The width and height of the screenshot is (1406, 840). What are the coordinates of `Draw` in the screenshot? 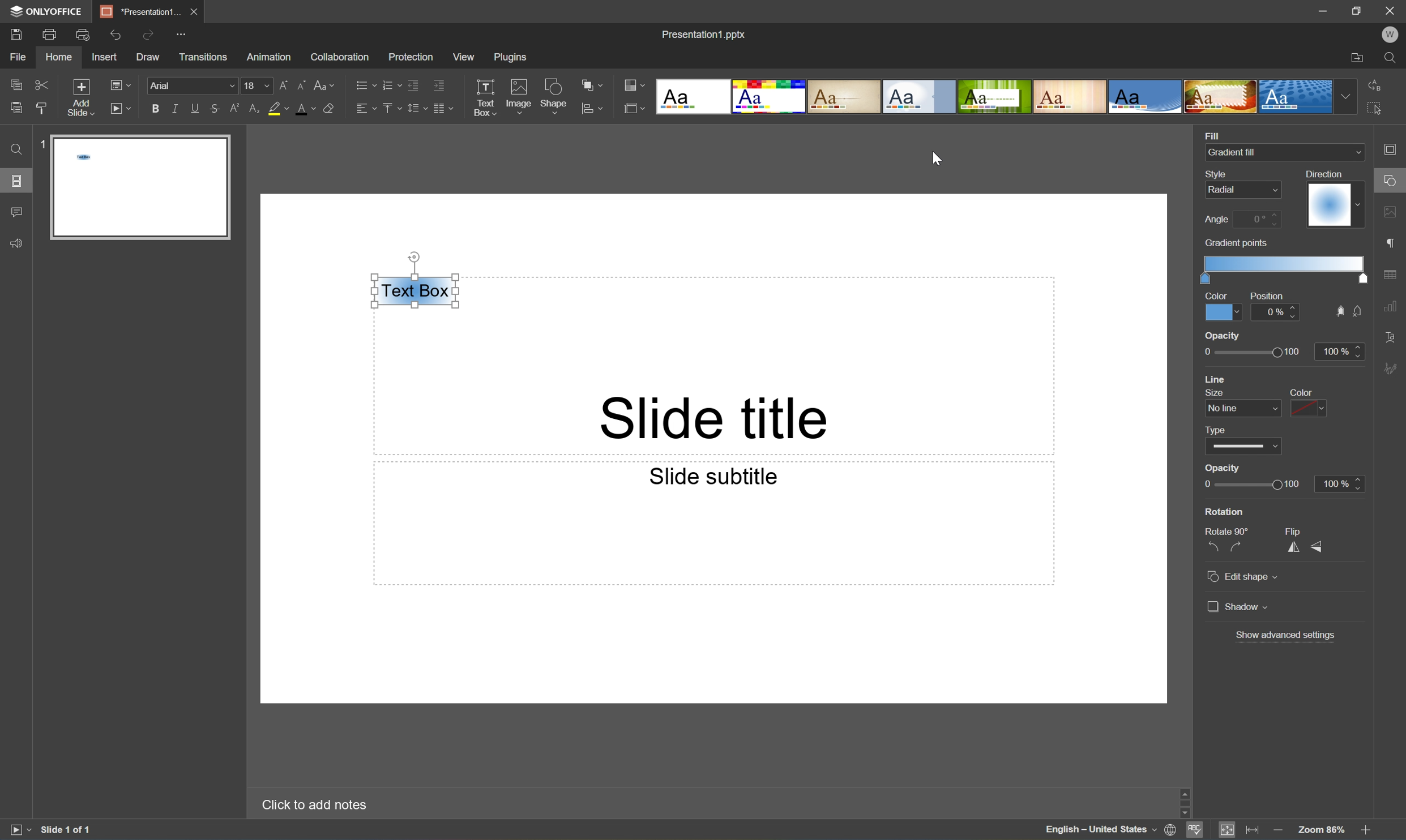 It's located at (148, 56).